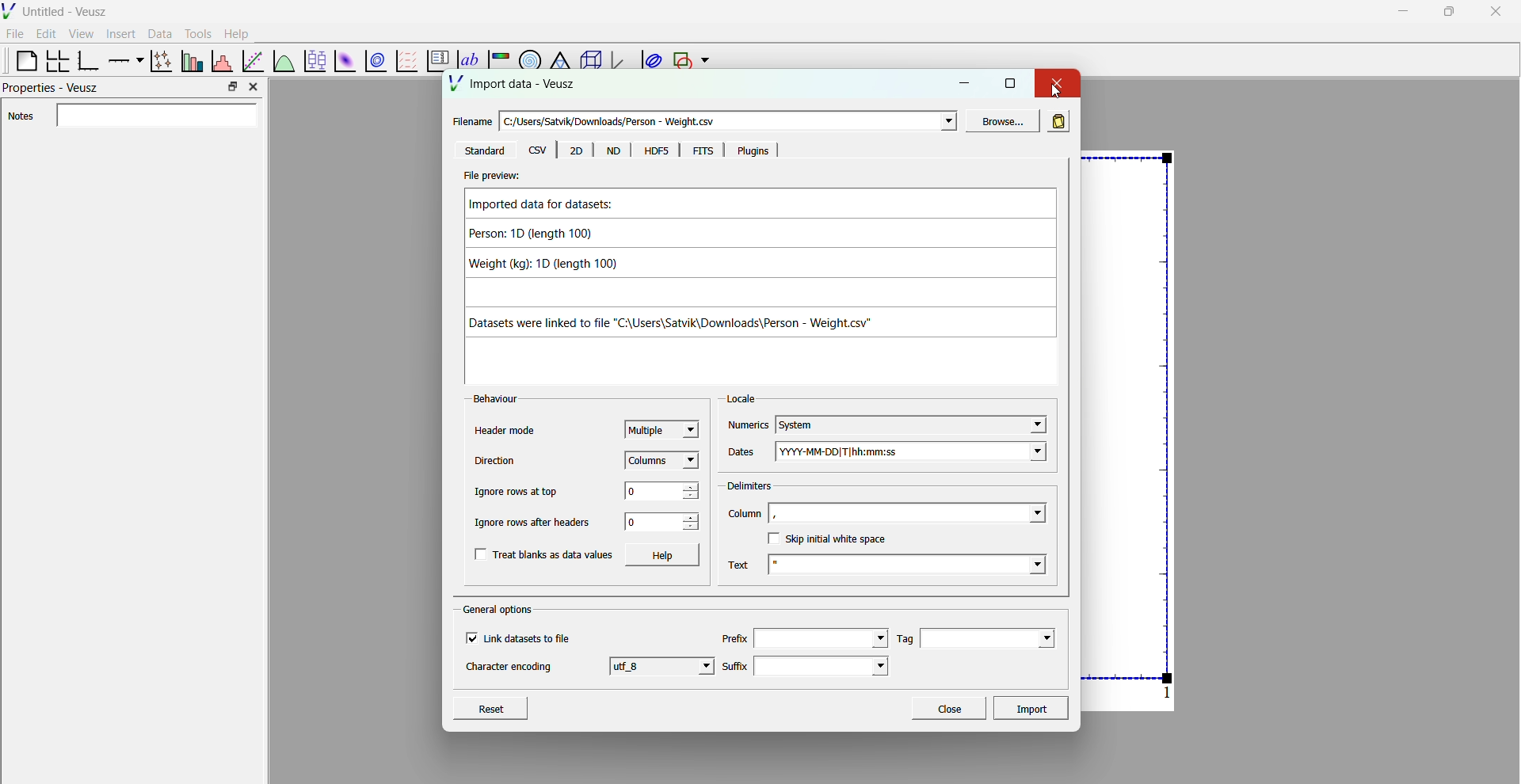 The image size is (1521, 784). I want to click on base graph, so click(88, 61).